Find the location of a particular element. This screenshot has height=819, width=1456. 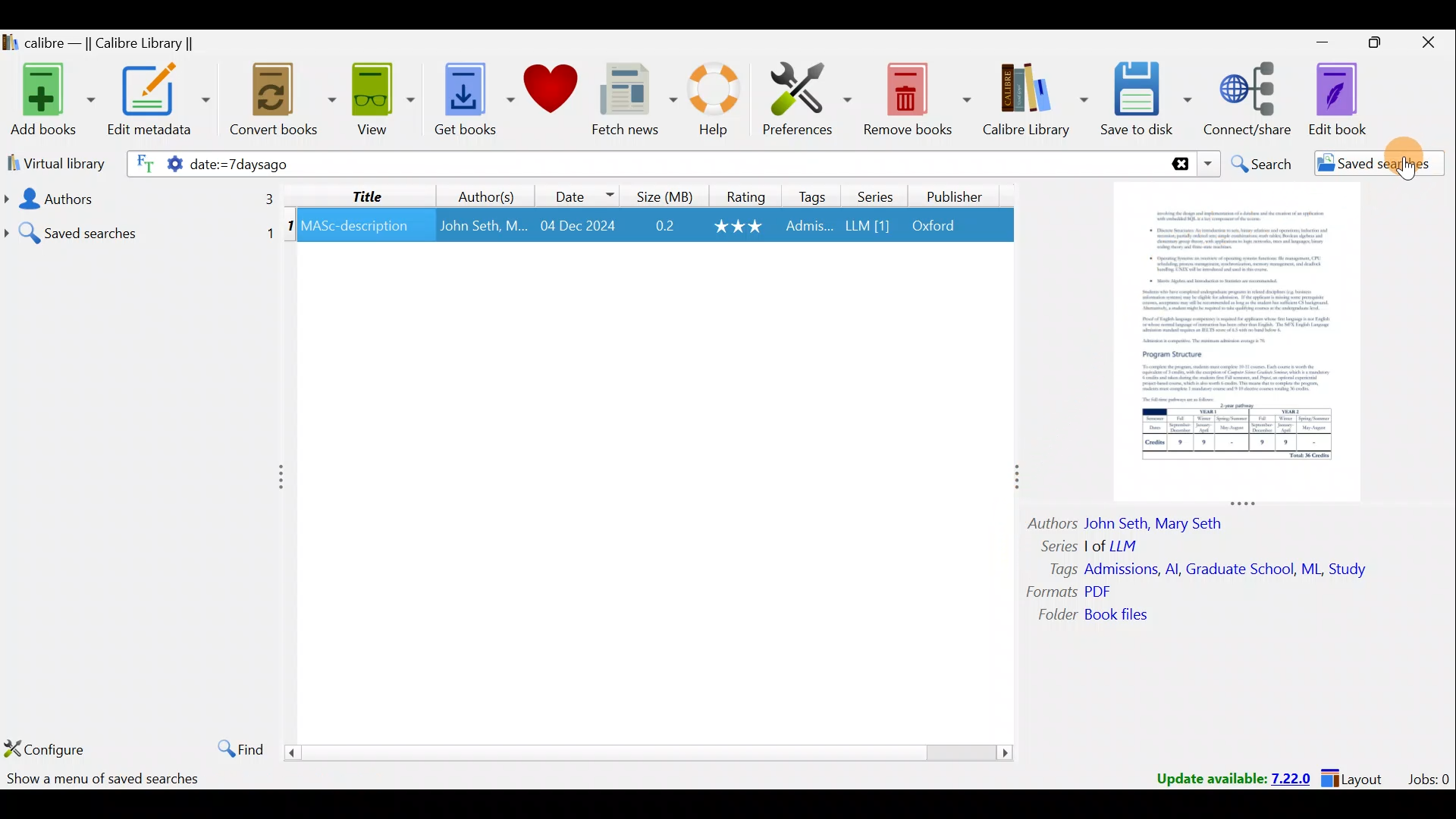

0.2 is located at coordinates (665, 227).